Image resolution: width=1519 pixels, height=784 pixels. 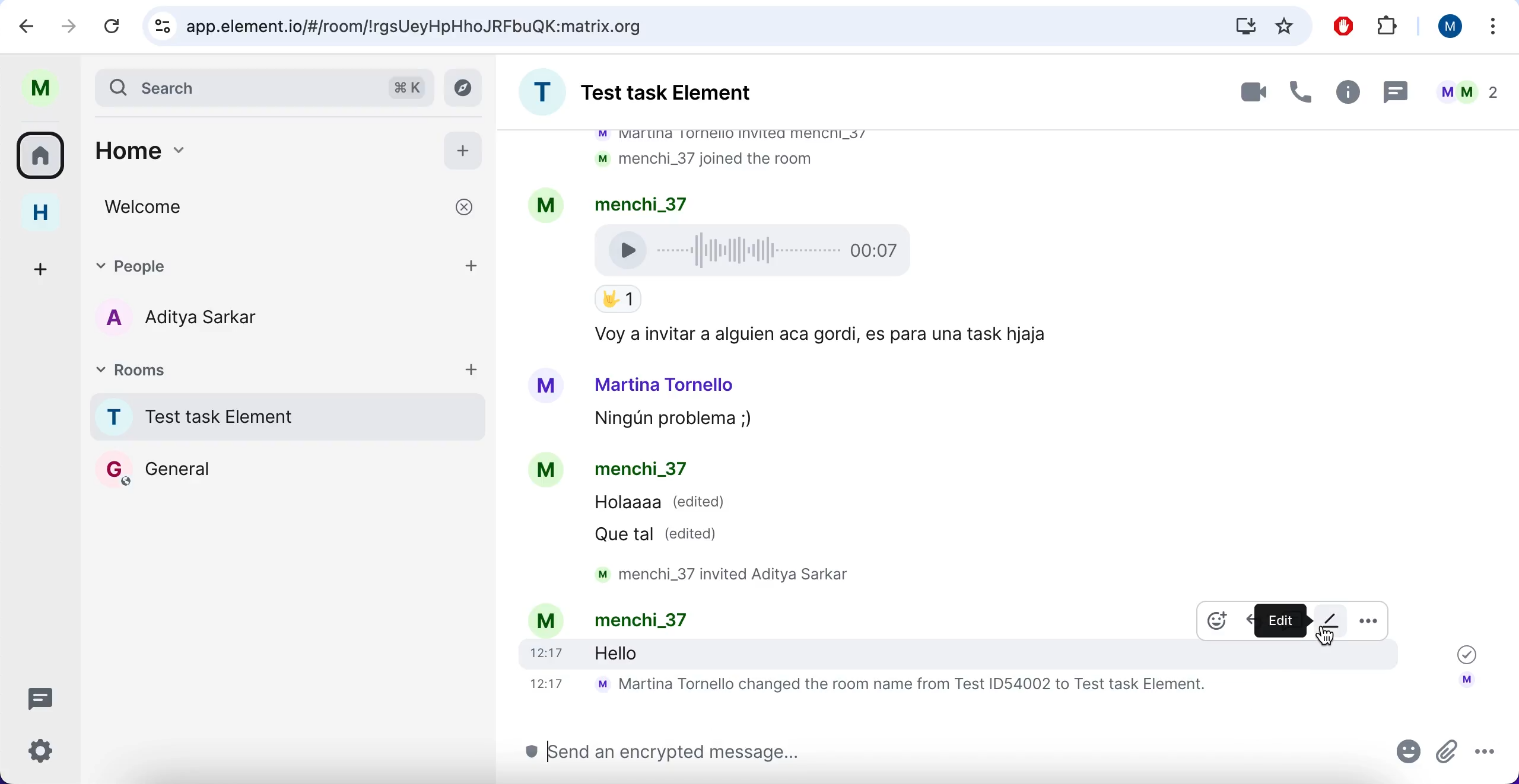 I want to click on welcome, so click(x=287, y=209).